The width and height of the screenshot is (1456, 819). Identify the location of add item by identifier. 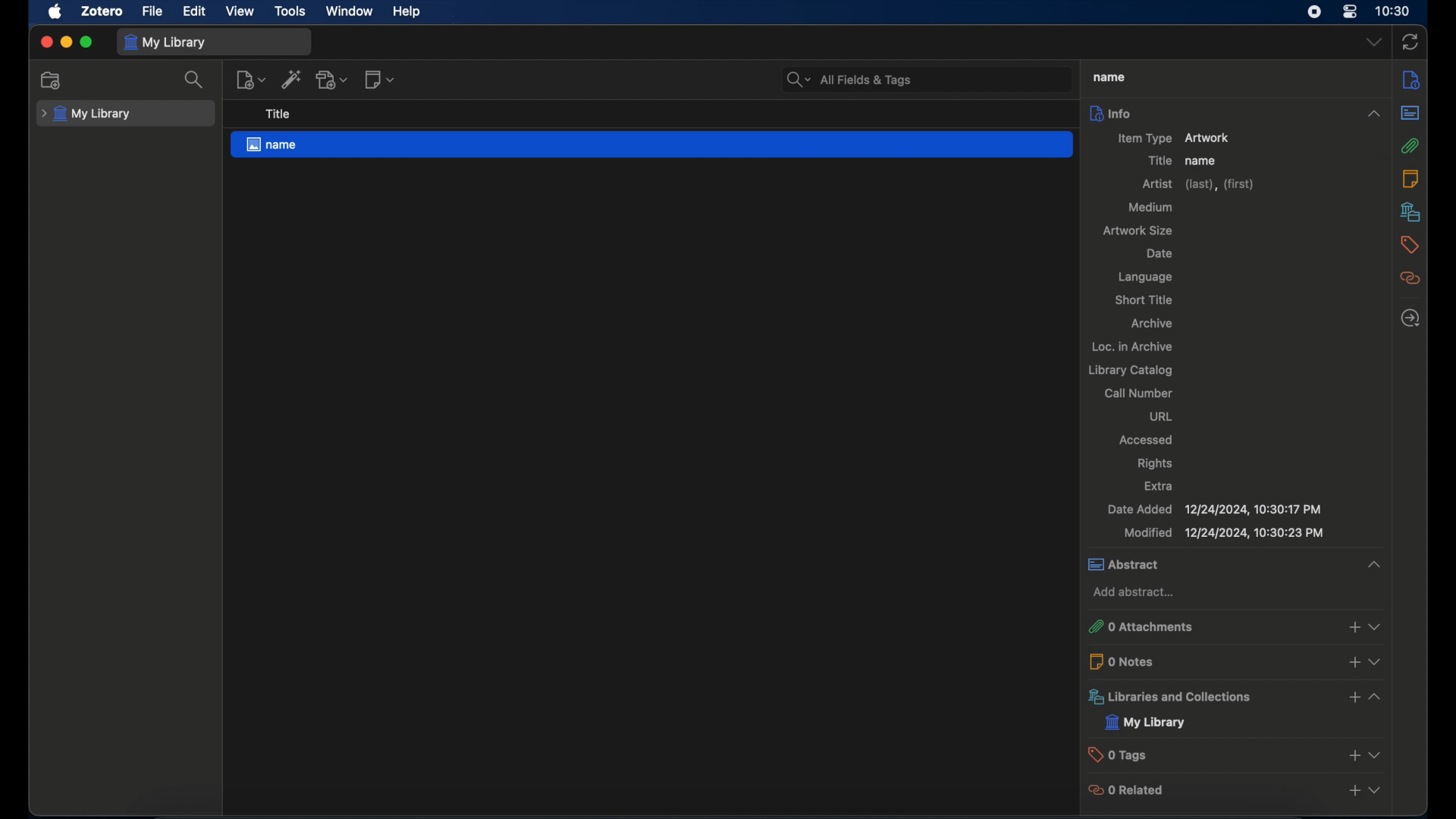
(292, 79).